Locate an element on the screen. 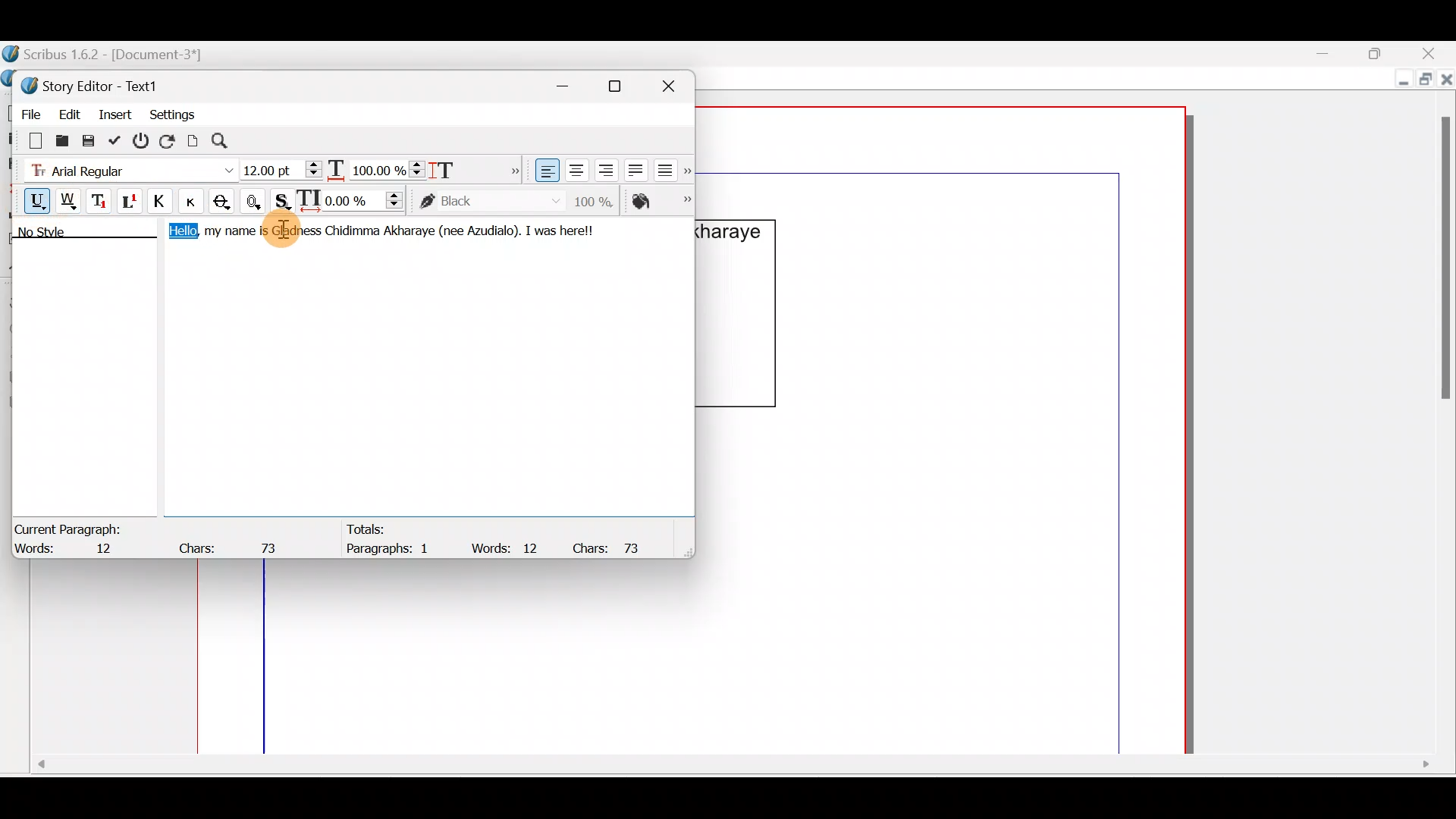  Maximize is located at coordinates (1384, 52).